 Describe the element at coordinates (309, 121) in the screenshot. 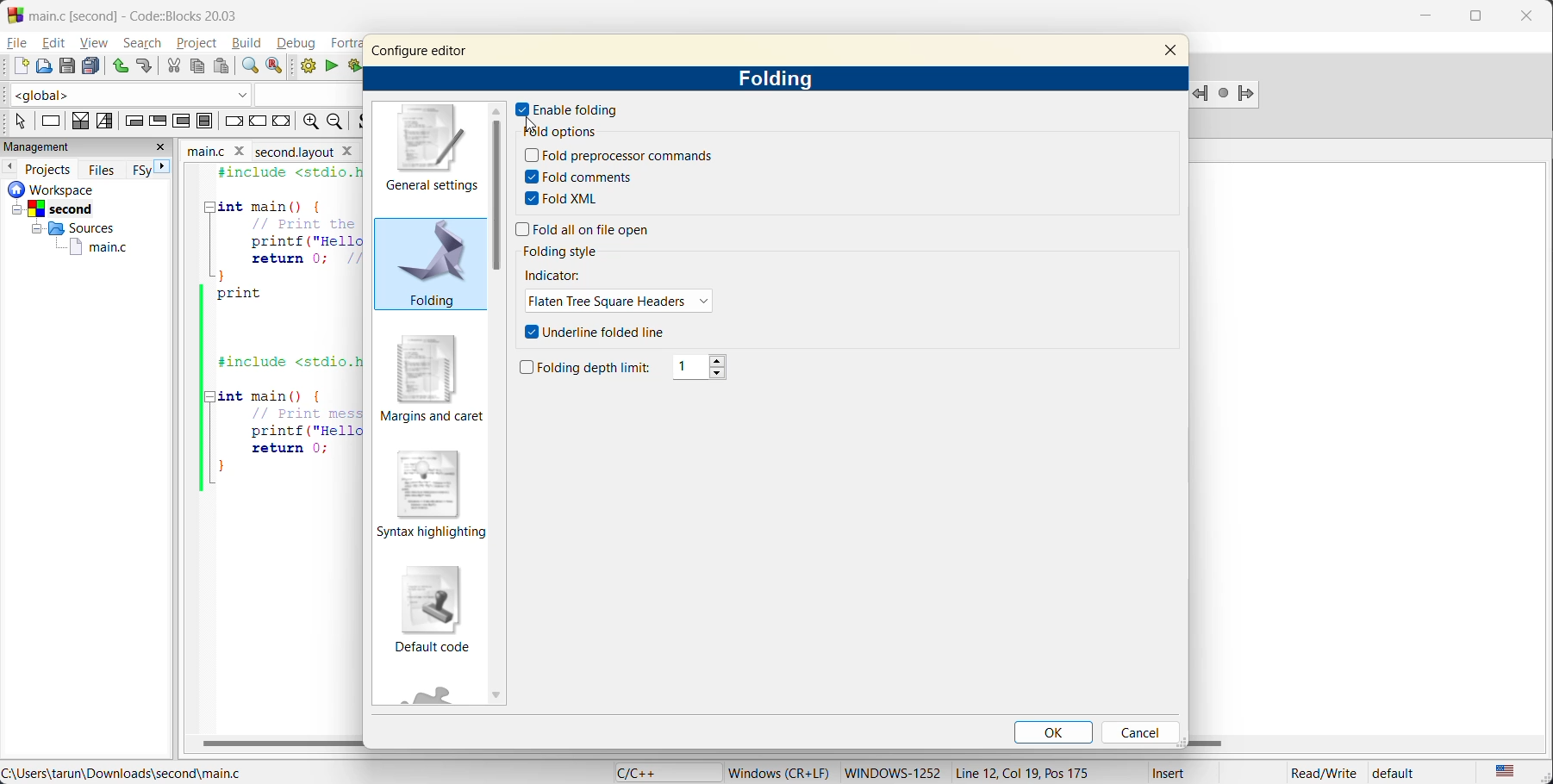

I see `zoom in` at that location.